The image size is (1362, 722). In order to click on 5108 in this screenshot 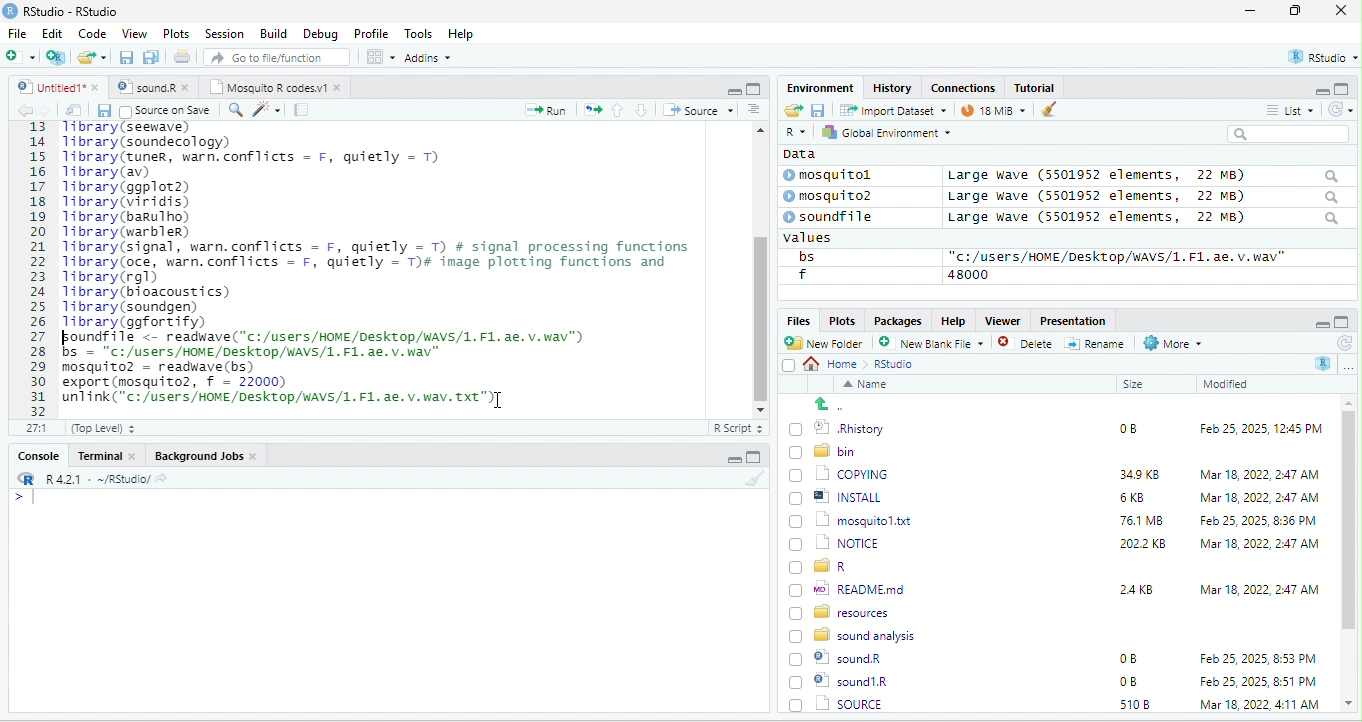, I will do `click(1130, 680)`.